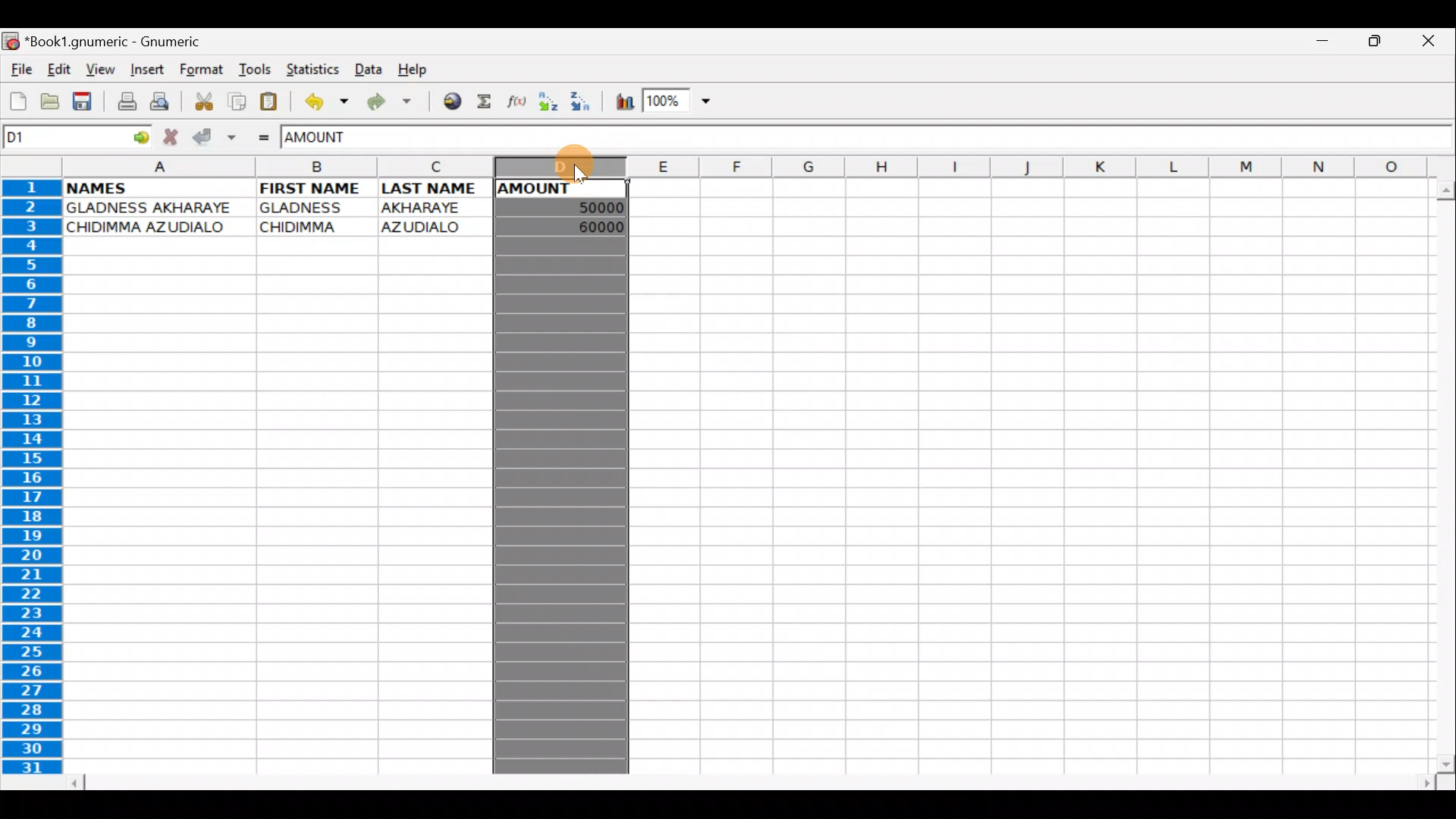 The image size is (1456, 819). Describe the element at coordinates (563, 165) in the screenshot. I see `Cursor on column D` at that location.